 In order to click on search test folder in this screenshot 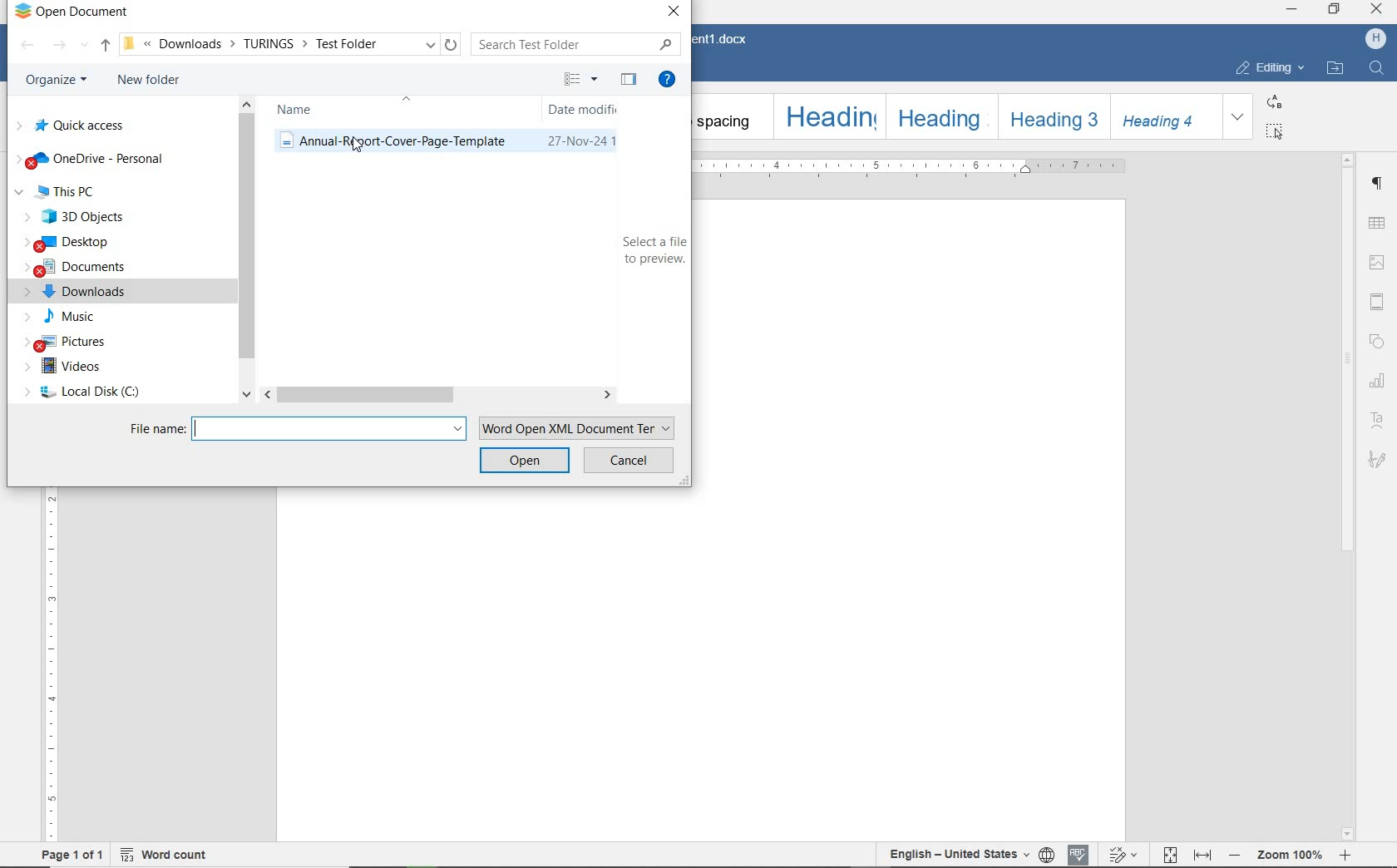, I will do `click(577, 43)`.